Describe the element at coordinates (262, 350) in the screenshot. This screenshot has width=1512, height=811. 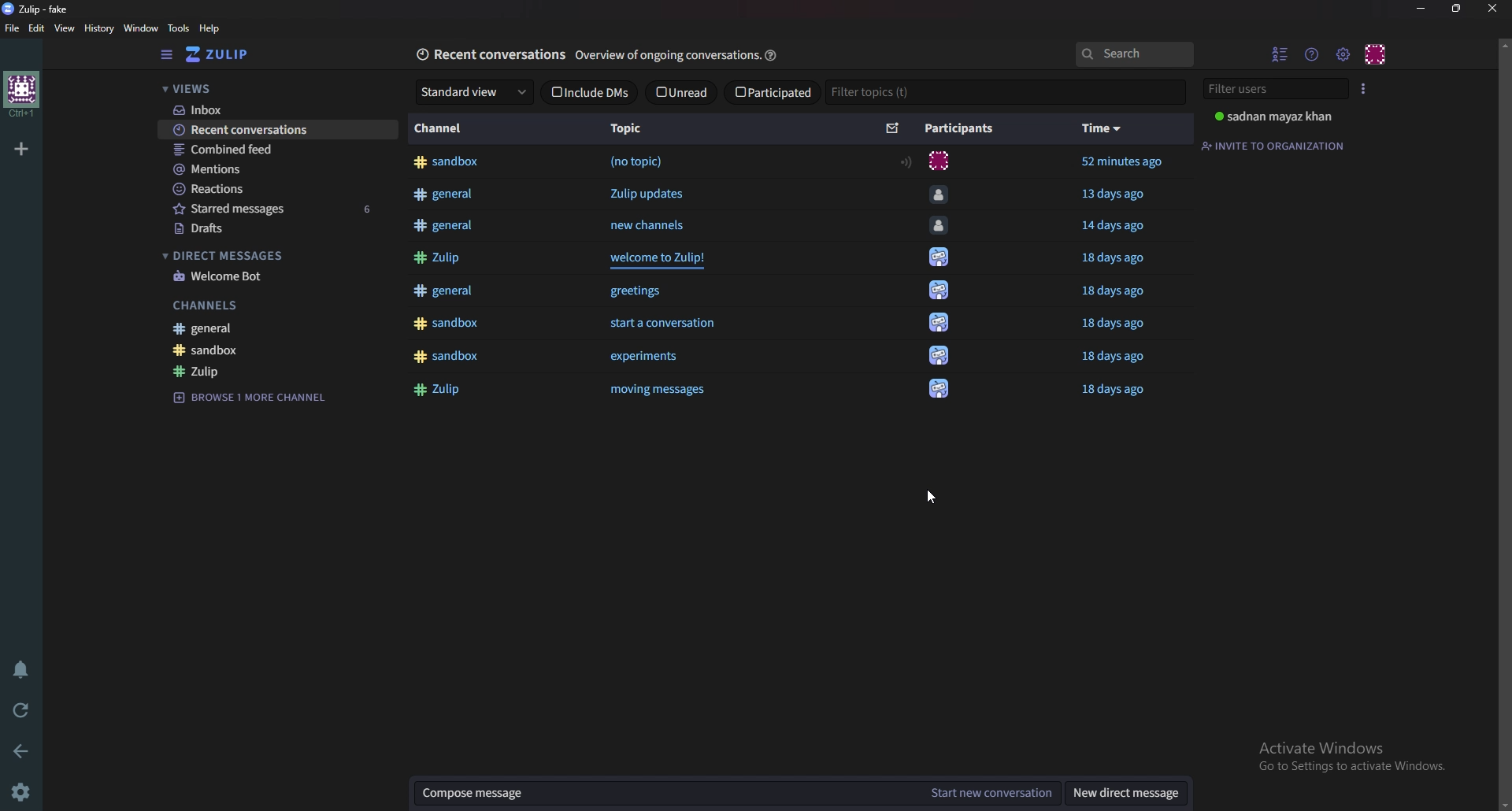
I see `Sandbox` at that location.